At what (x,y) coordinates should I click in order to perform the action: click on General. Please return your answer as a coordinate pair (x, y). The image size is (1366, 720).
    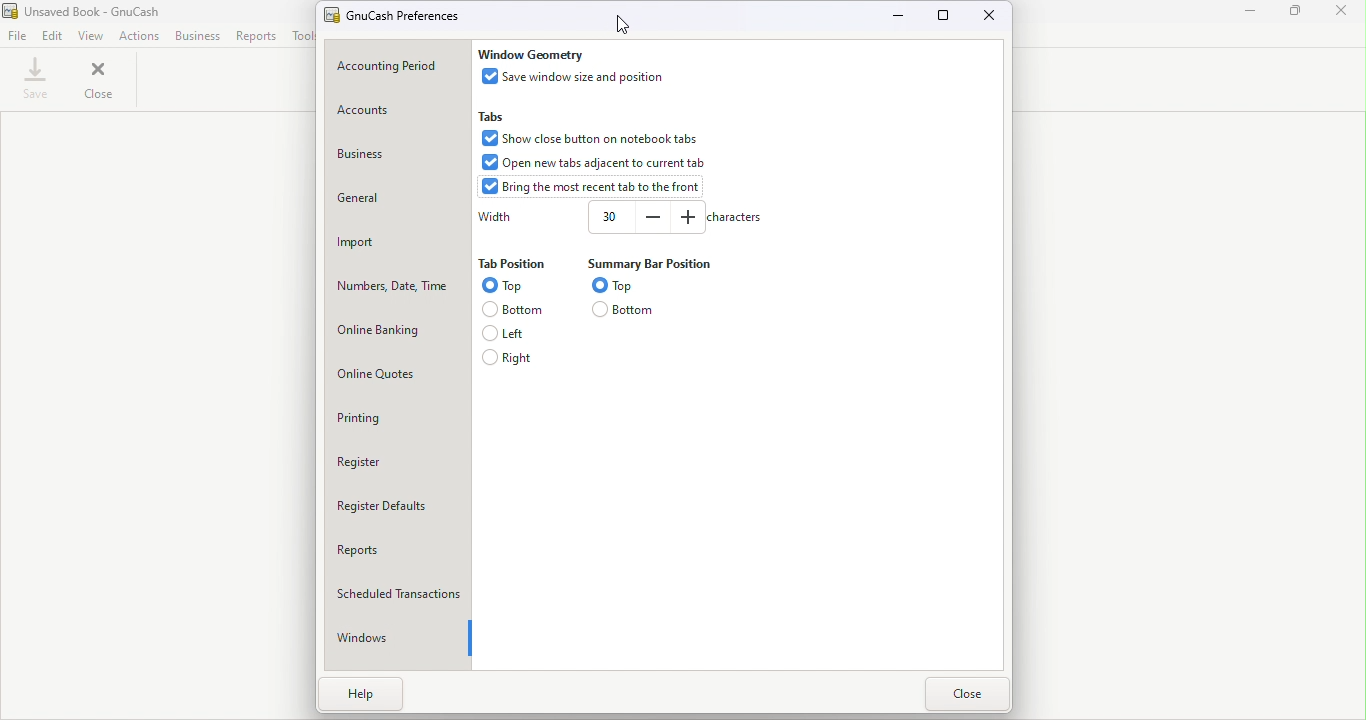
    Looking at the image, I should click on (396, 197).